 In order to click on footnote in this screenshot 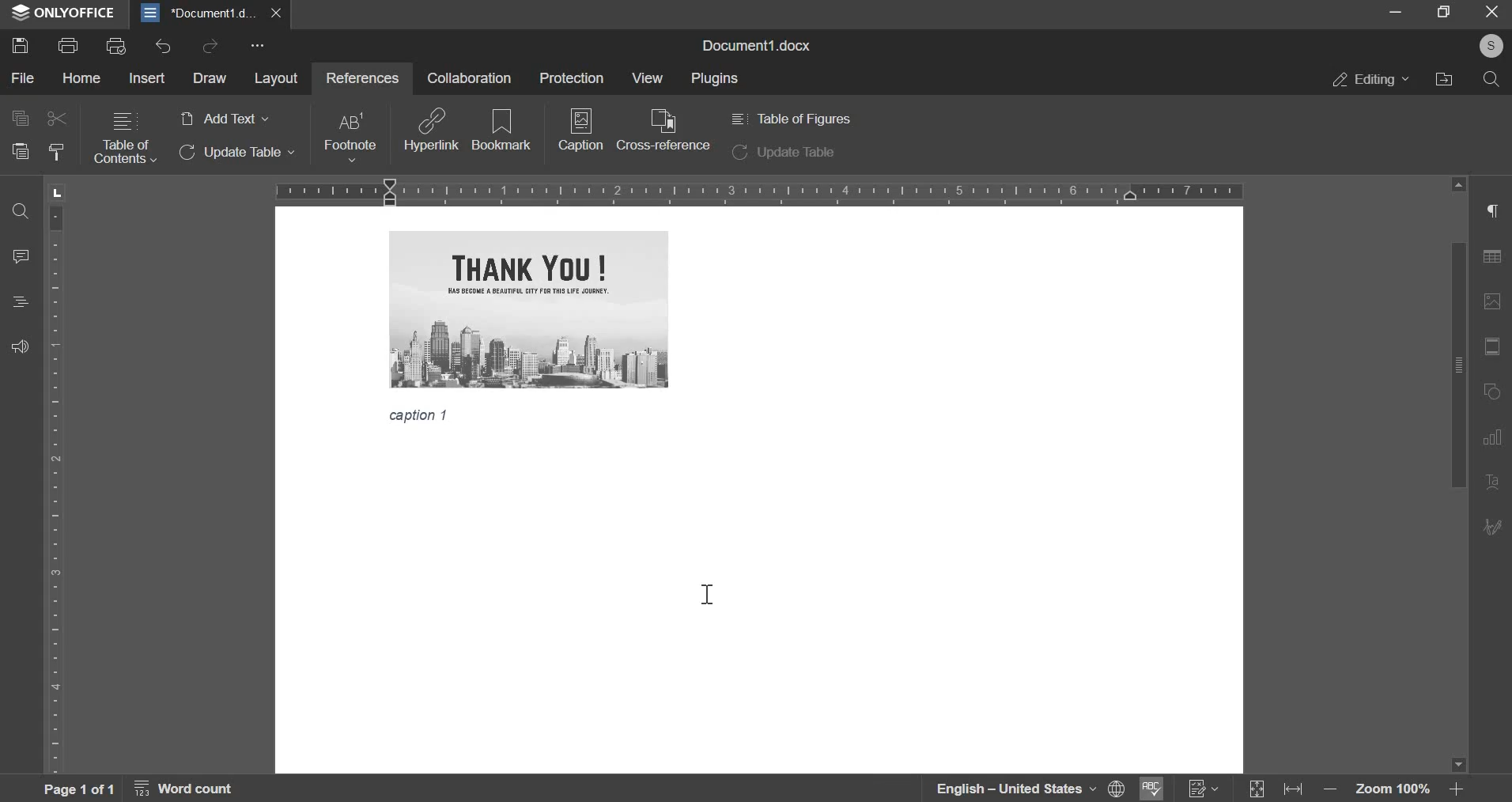, I will do `click(349, 137)`.